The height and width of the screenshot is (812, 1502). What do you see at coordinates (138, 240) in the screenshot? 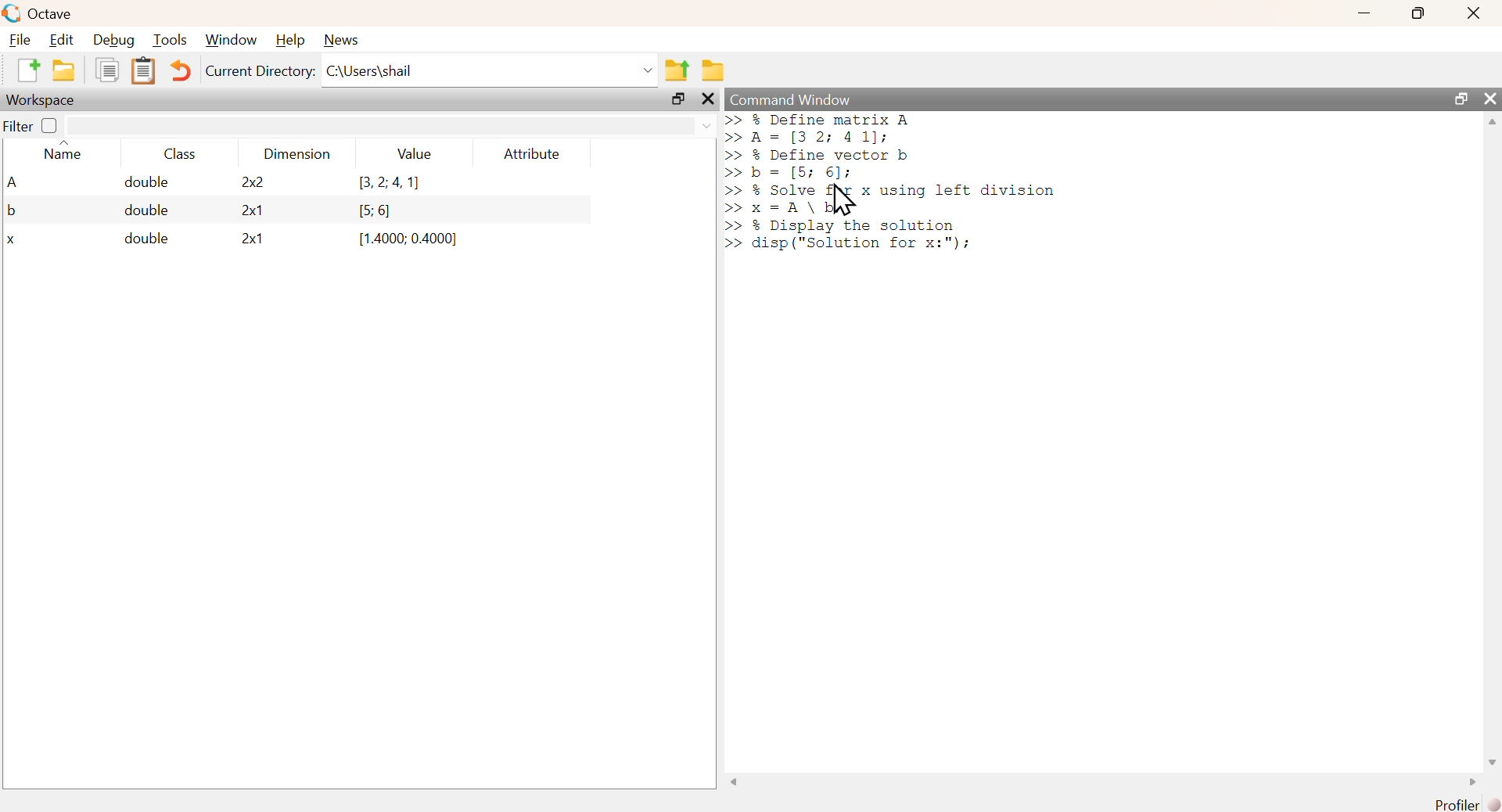
I see `double` at bounding box center [138, 240].